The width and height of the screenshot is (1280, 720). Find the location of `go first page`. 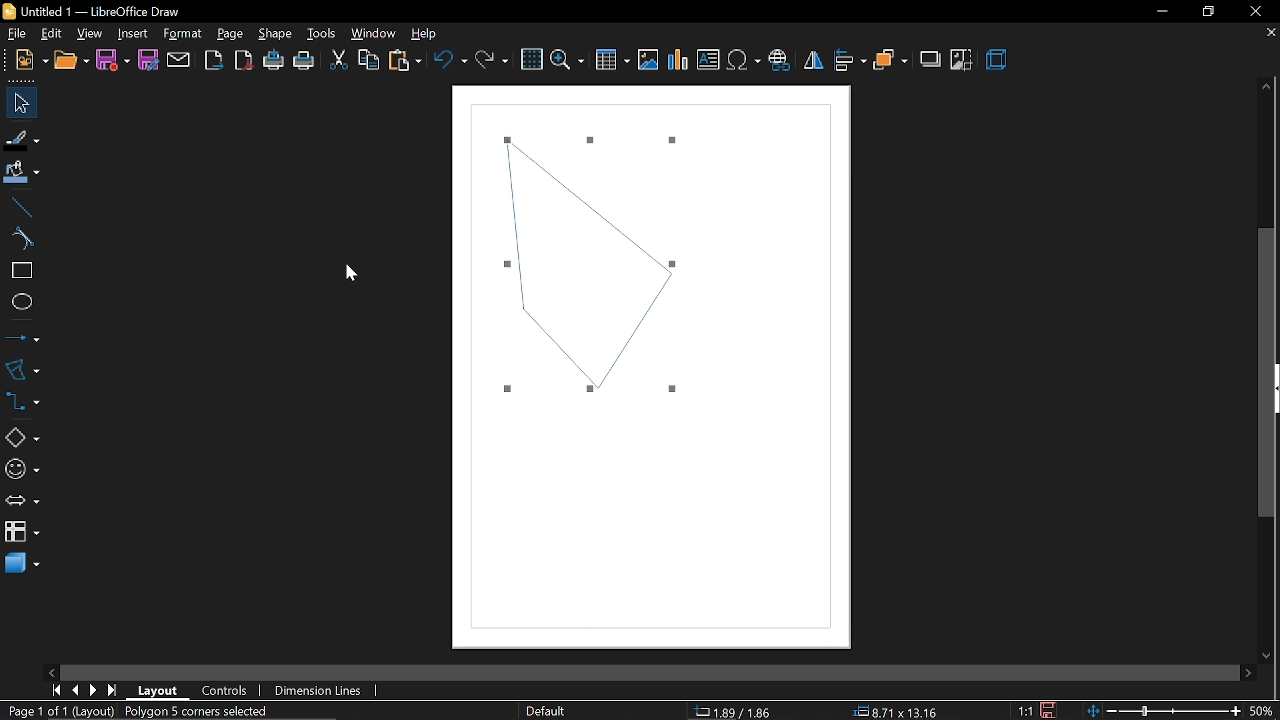

go first page is located at coordinates (56, 690).